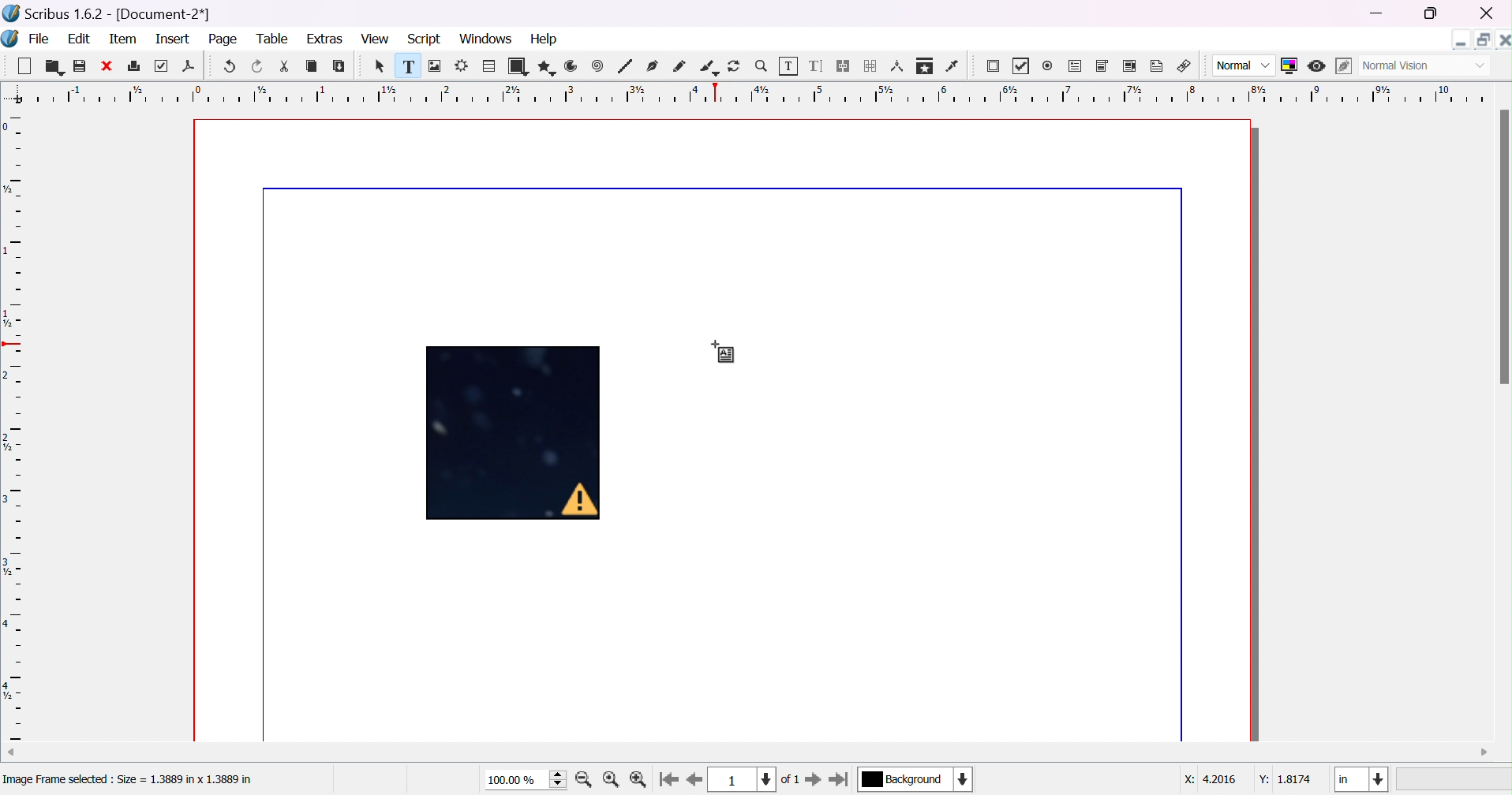 The image size is (1512, 795). What do you see at coordinates (175, 39) in the screenshot?
I see `insert` at bounding box center [175, 39].